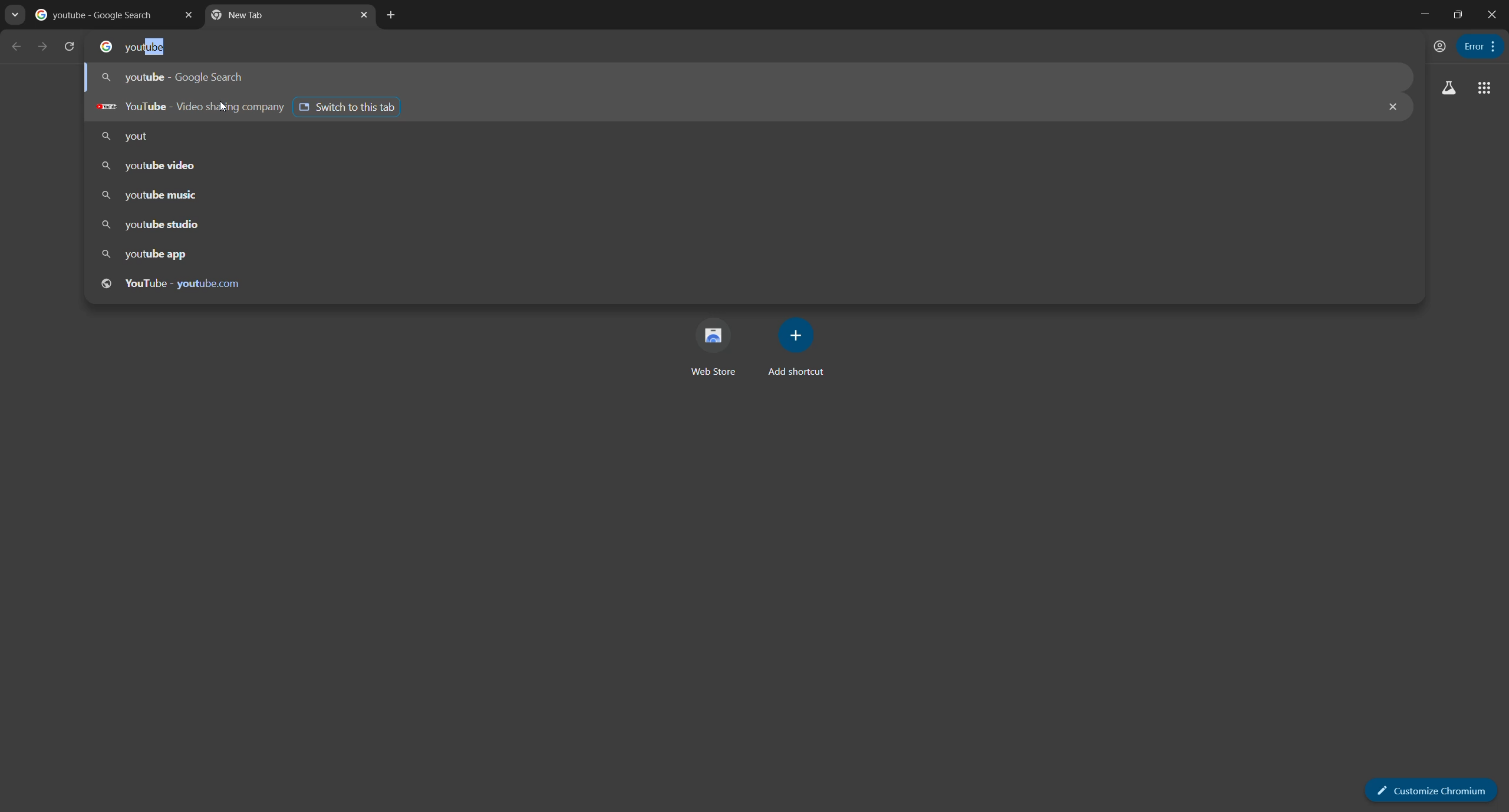 This screenshot has height=812, width=1509. Describe the element at coordinates (150, 195) in the screenshot. I see `youtube music` at that location.